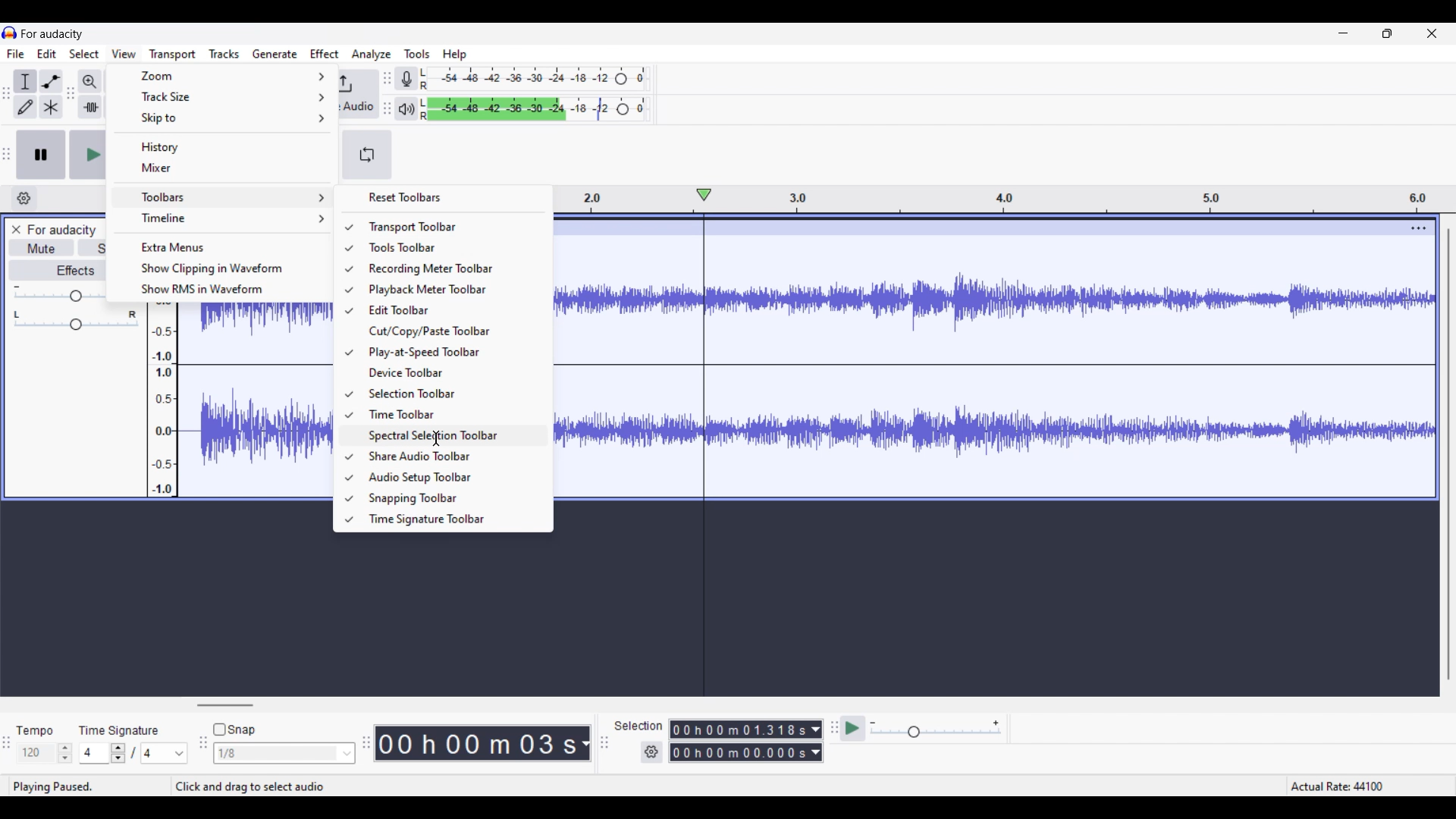 Image resolution: width=1456 pixels, height=819 pixels. Describe the element at coordinates (234, 729) in the screenshot. I see `Snap toggle` at that location.